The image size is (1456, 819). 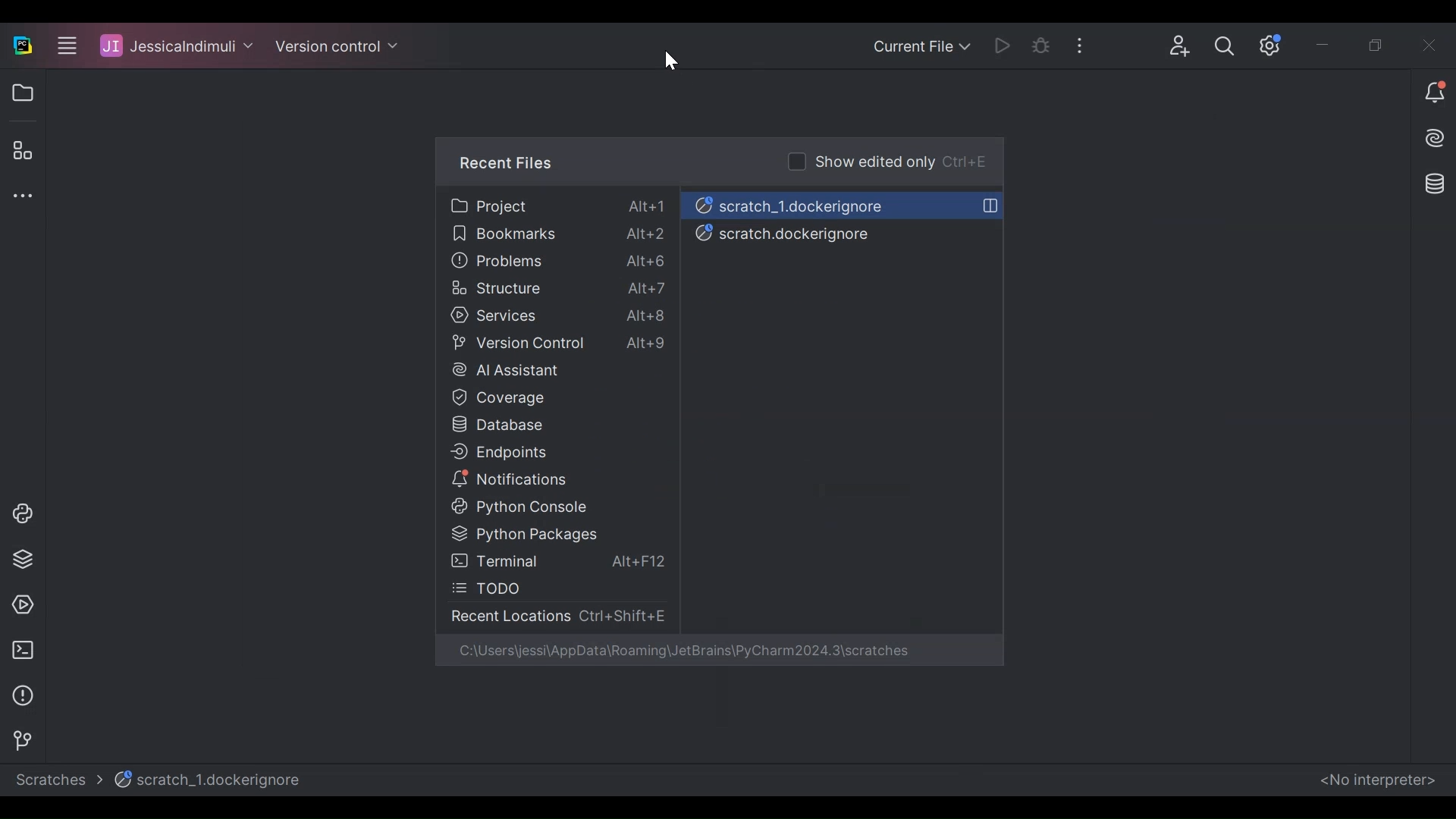 What do you see at coordinates (1185, 47) in the screenshot?
I see `Code with me` at bounding box center [1185, 47].